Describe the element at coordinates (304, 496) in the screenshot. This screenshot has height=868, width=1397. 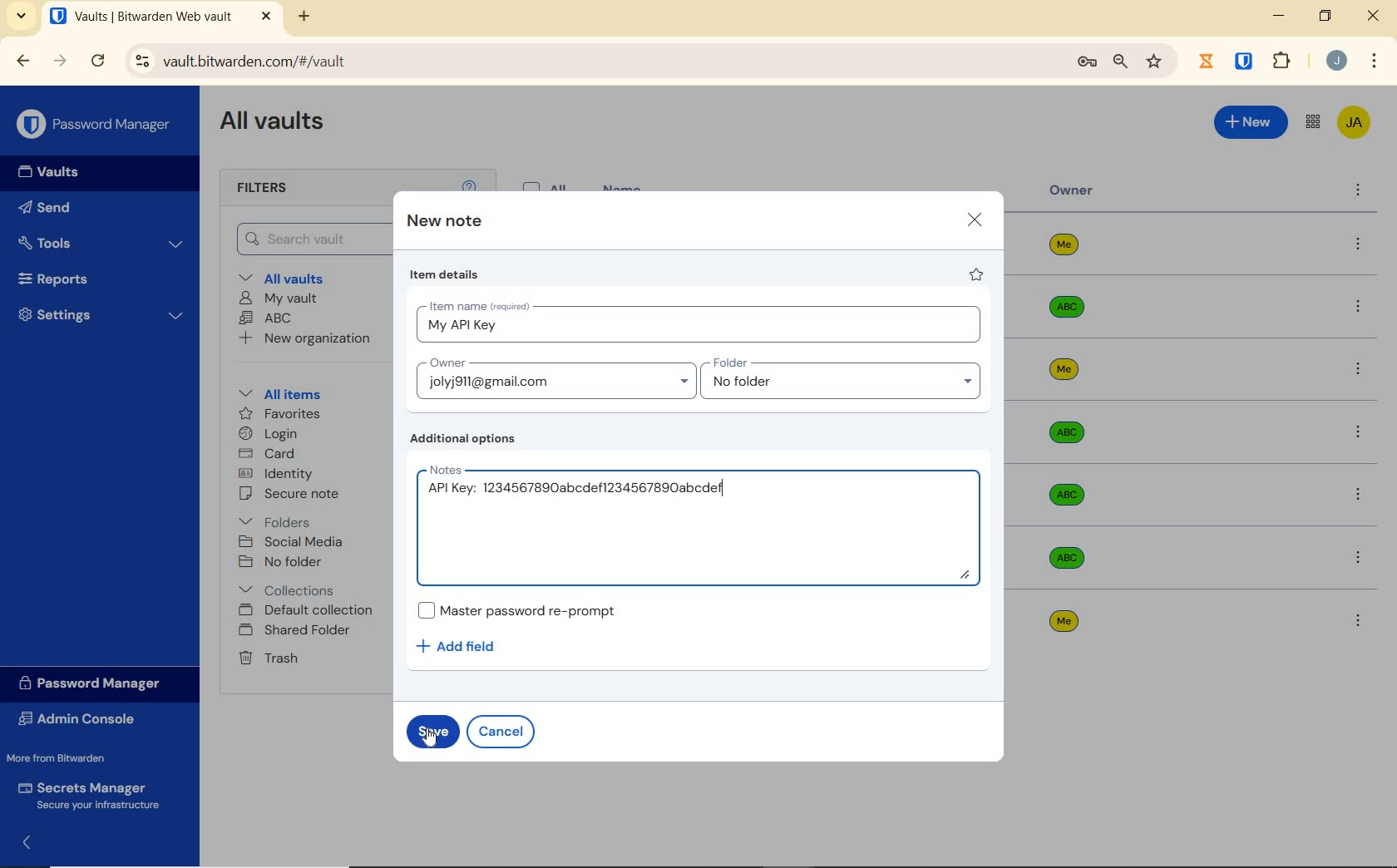
I see `secure note` at that location.